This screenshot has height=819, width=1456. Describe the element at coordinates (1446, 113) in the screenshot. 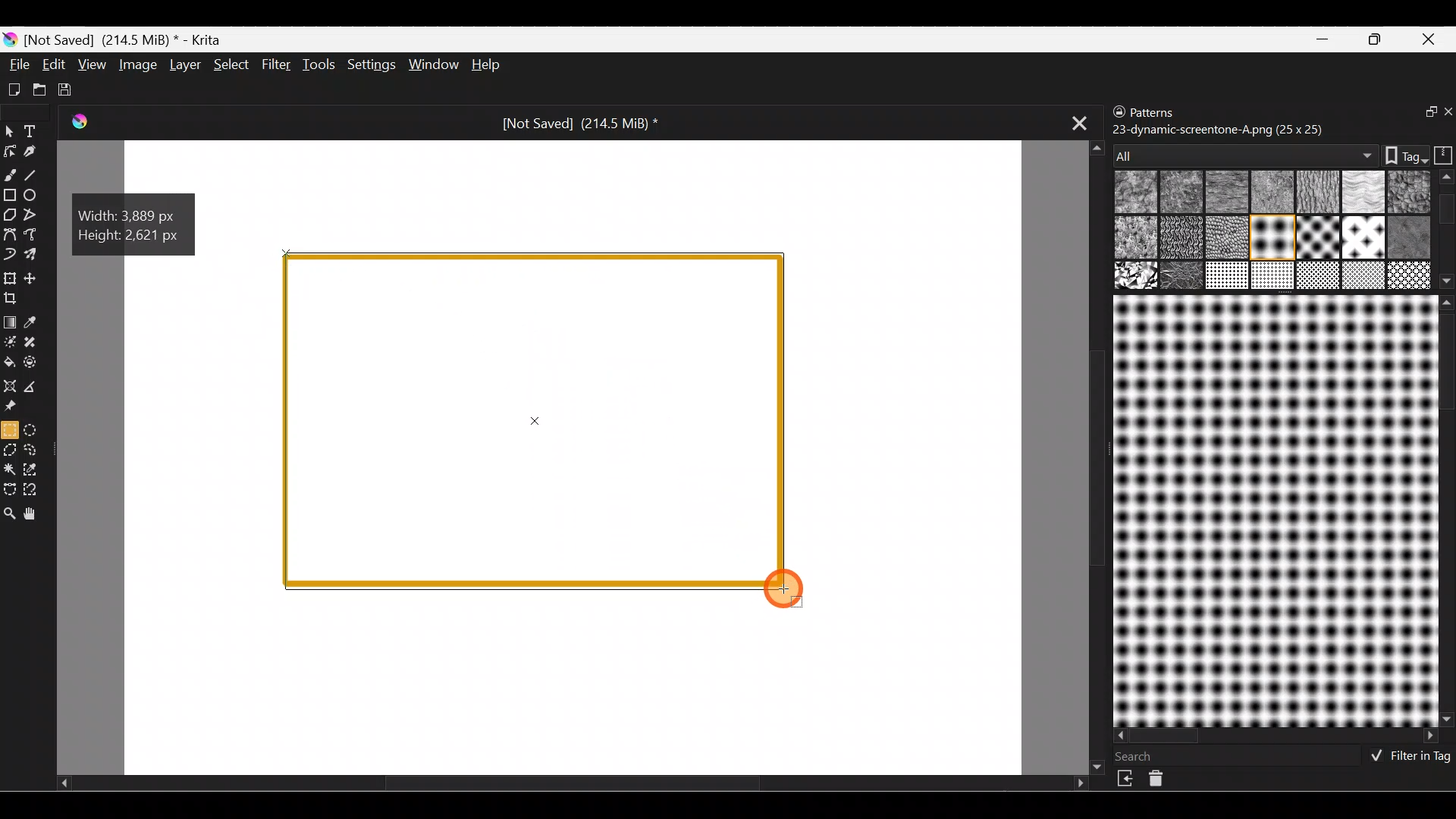

I see `Close docker` at that location.